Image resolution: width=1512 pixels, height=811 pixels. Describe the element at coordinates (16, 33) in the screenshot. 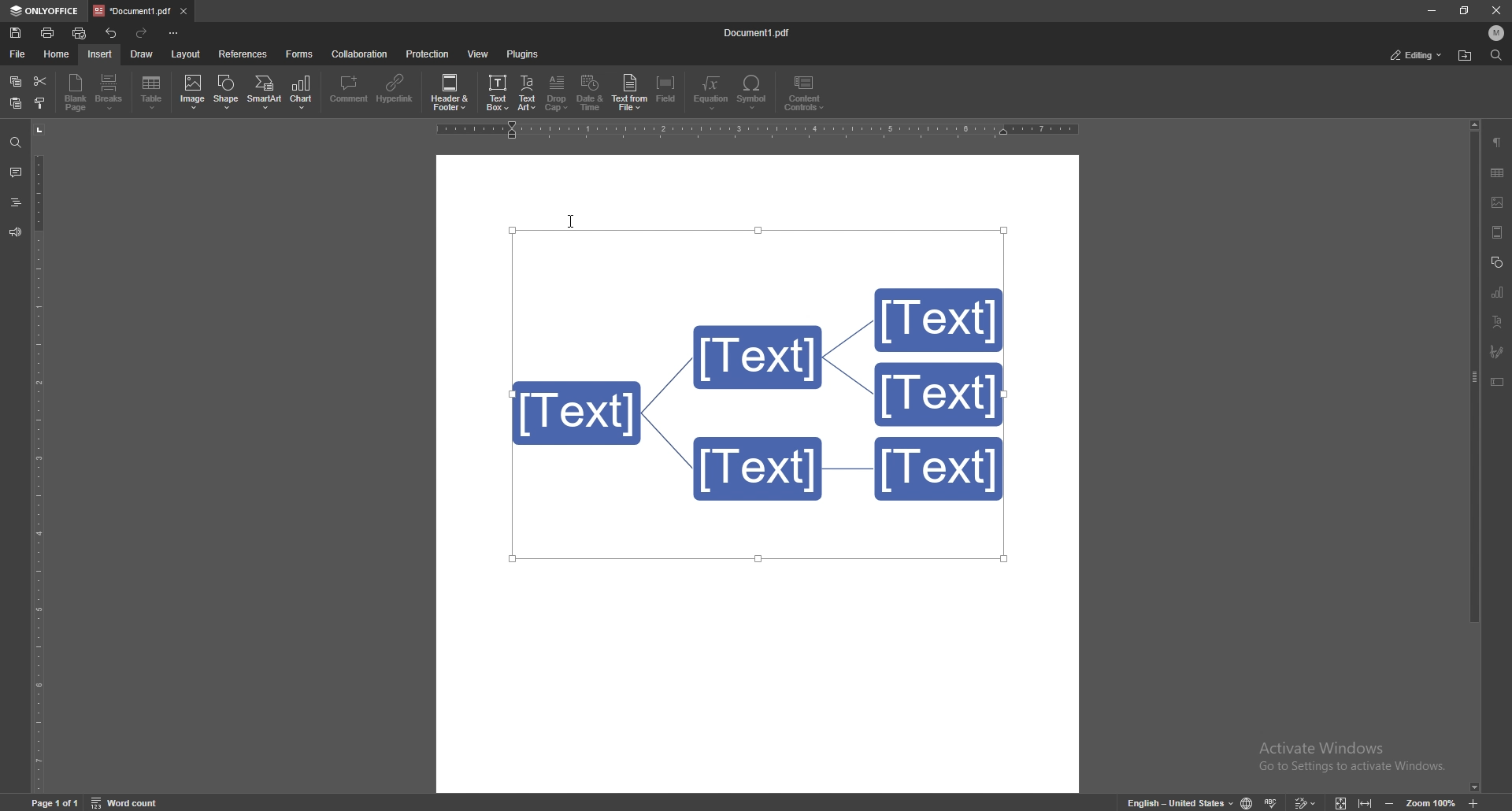

I see `save` at that location.